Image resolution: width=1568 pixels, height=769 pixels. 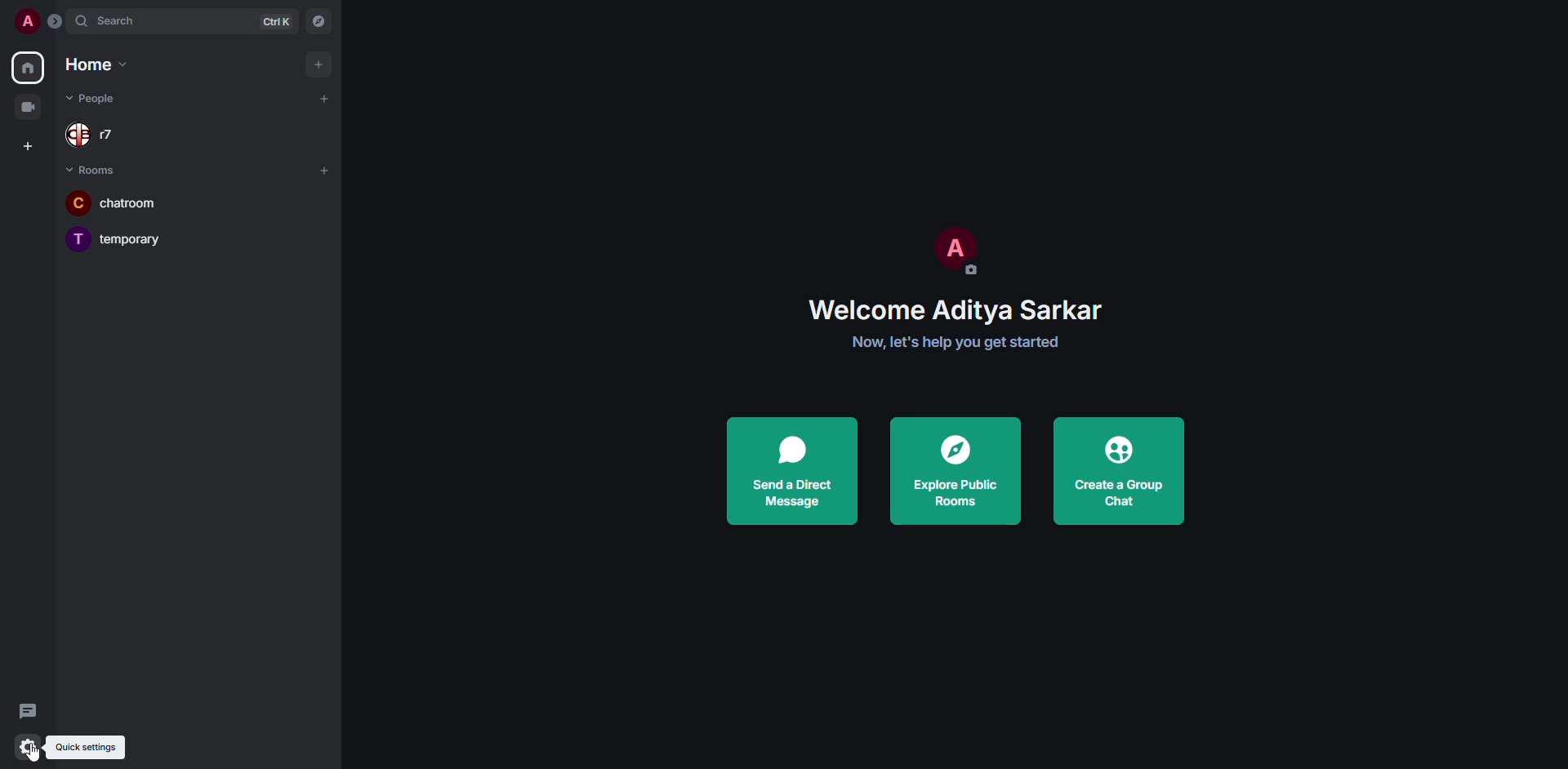 I want to click on welcome, so click(x=954, y=311).